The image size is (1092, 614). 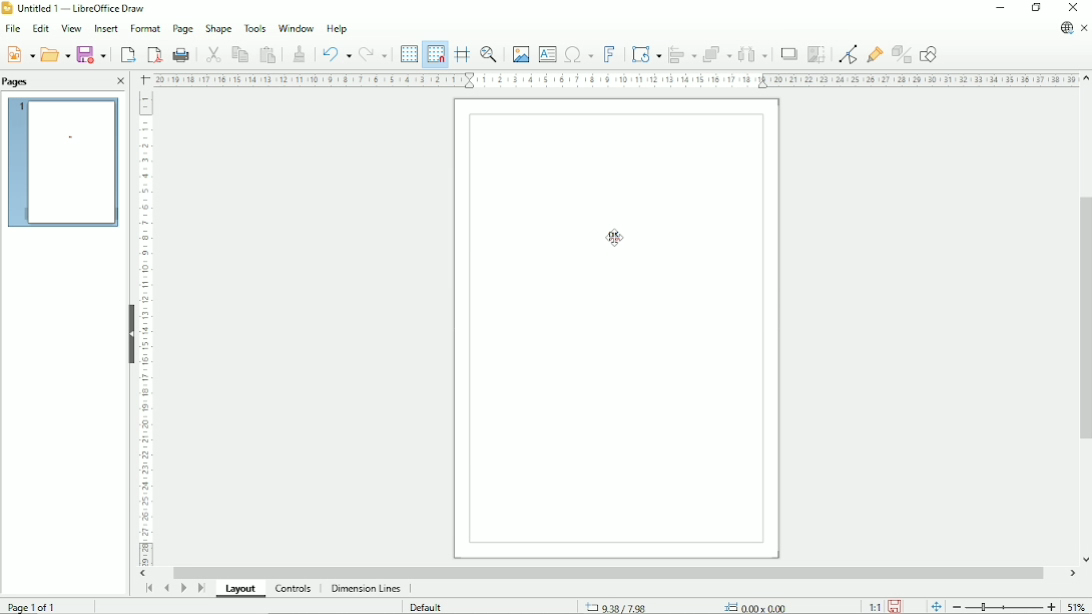 What do you see at coordinates (461, 54) in the screenshot?
I see `Helplines while moving` at bounding box center [461, 54].